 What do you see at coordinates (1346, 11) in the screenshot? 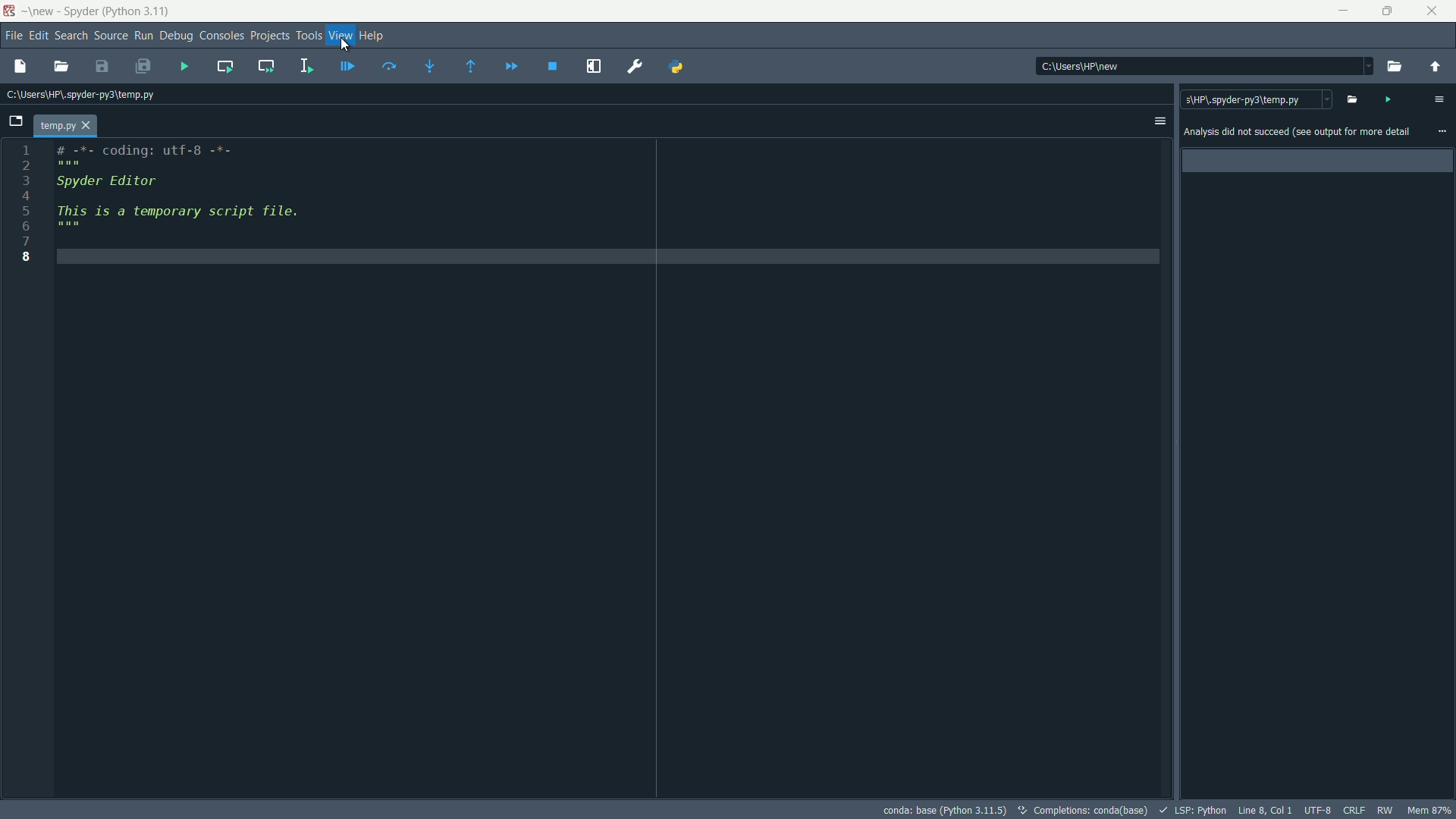
I see `minimize` at bounding box center [1346, 11].